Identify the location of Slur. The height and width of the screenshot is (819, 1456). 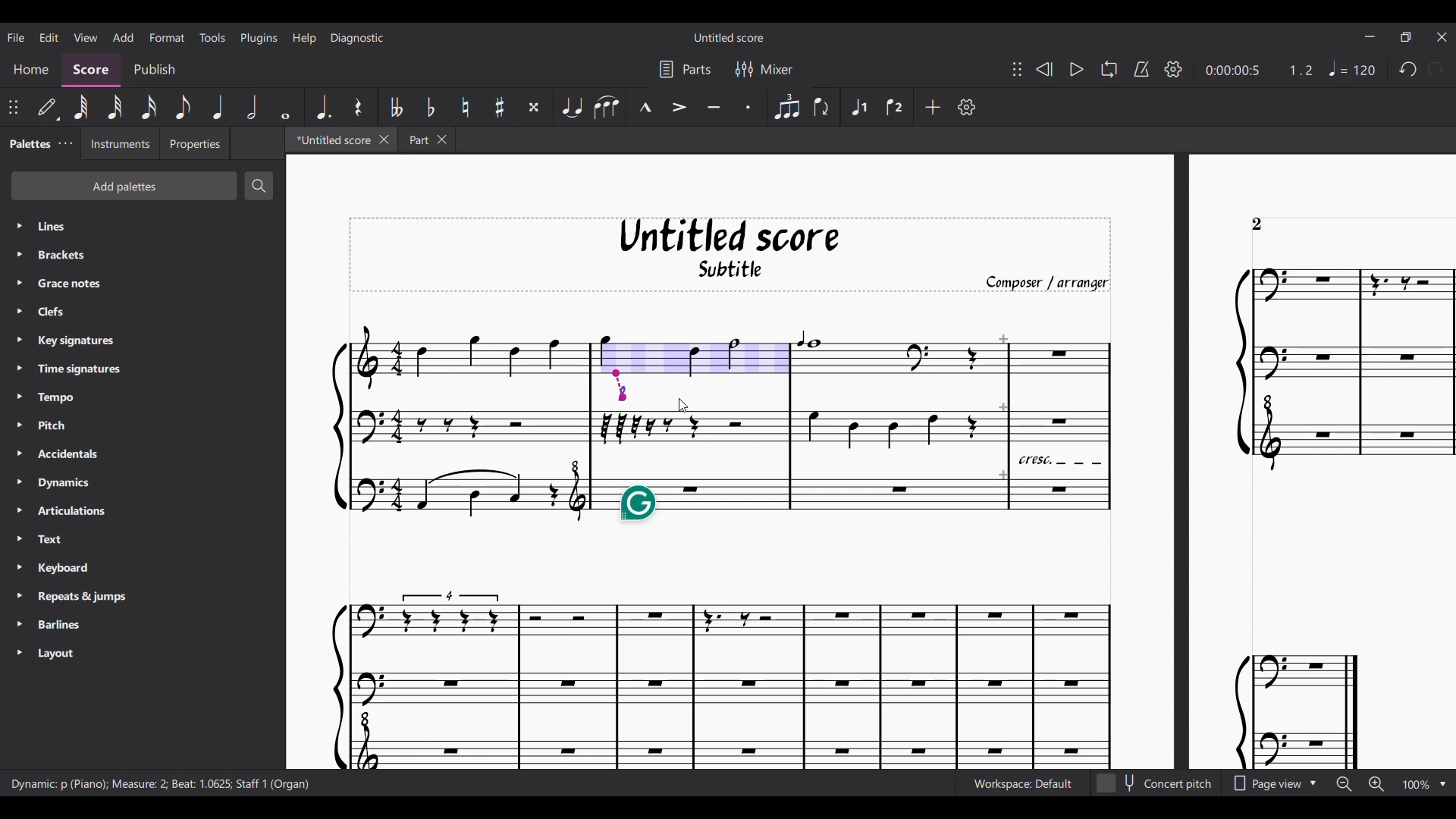
(607, 107).